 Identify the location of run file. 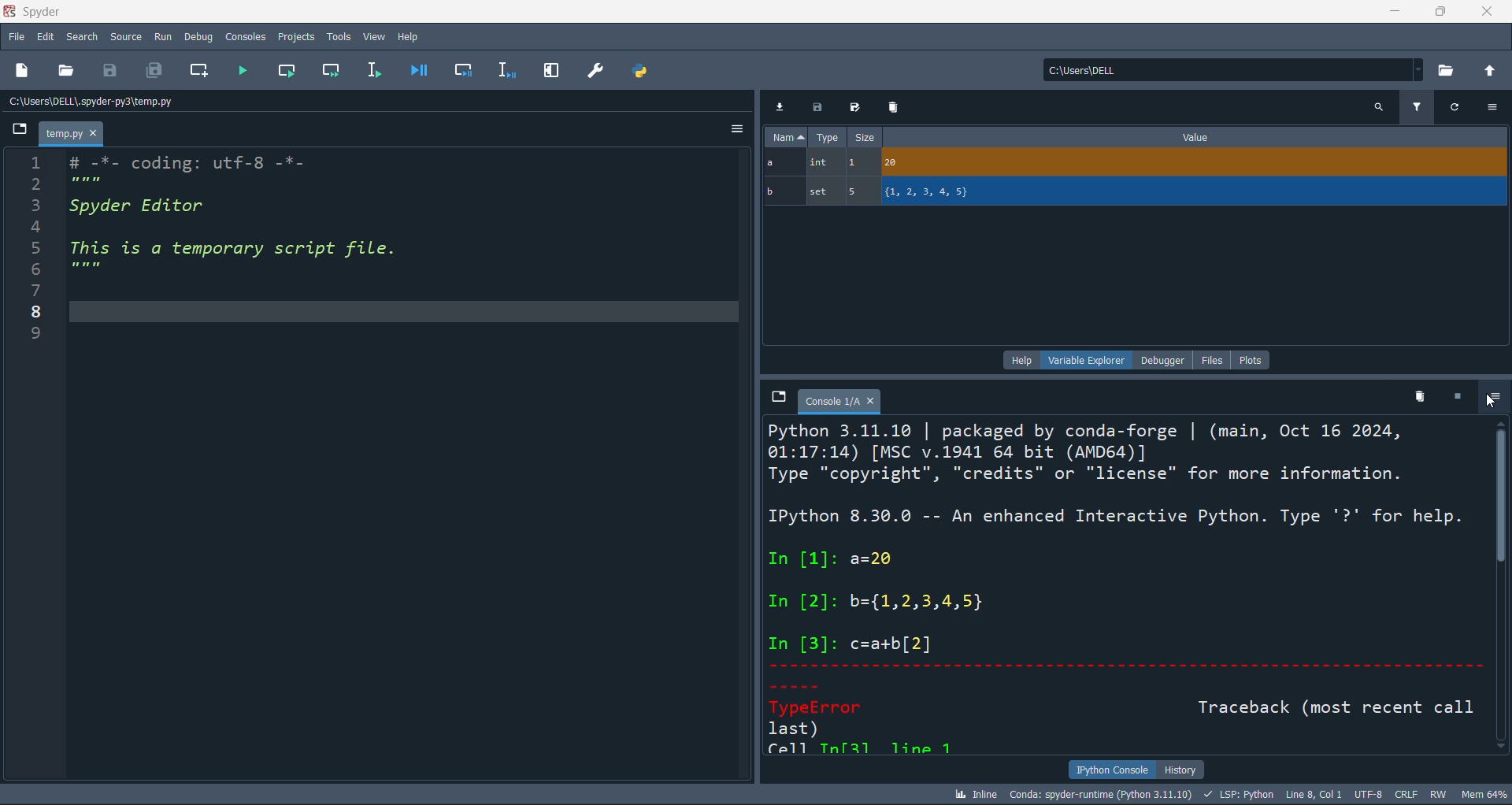
(243, 73).